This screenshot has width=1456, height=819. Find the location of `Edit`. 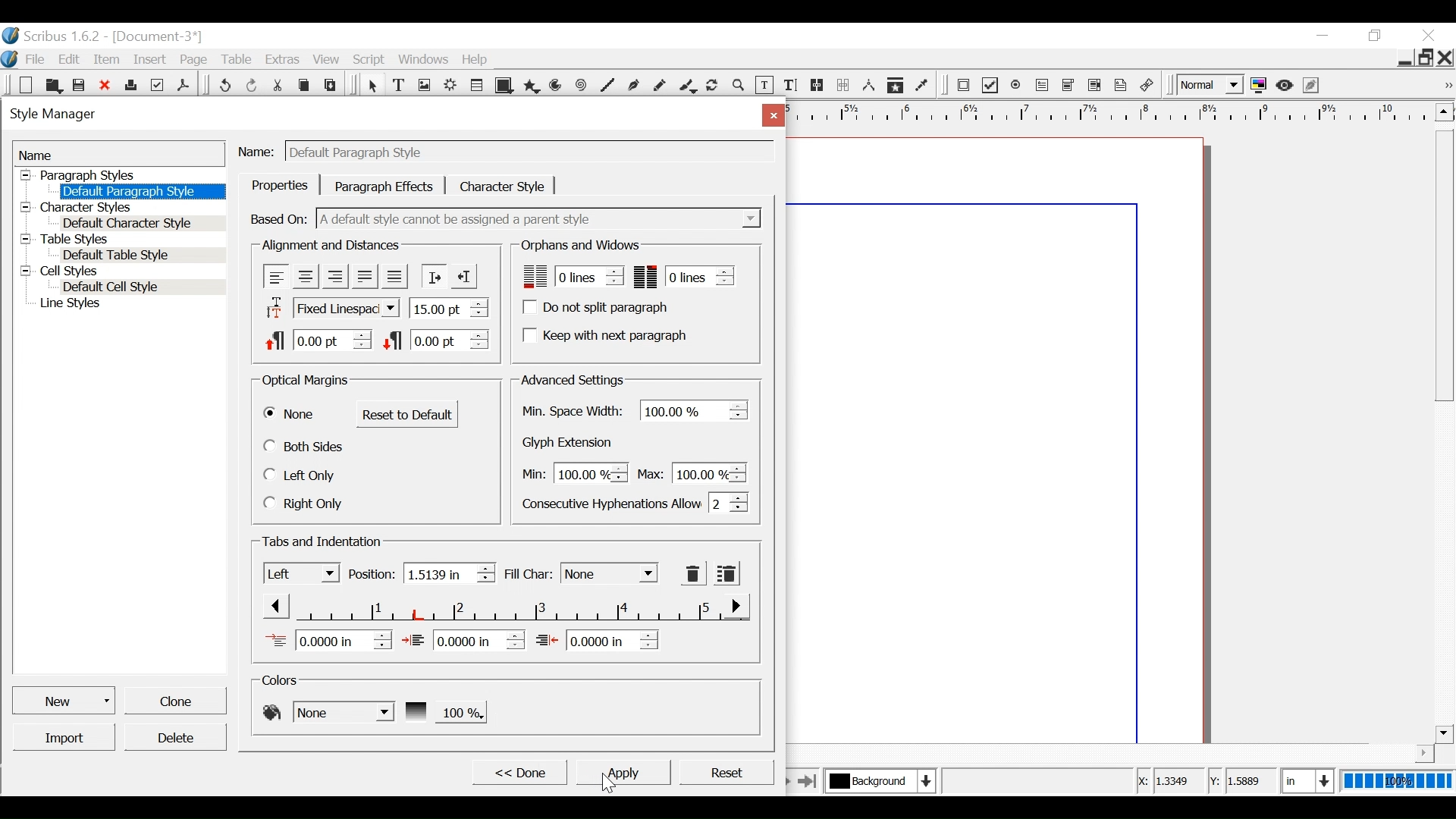

Edit is located at coordinates (71, 59).